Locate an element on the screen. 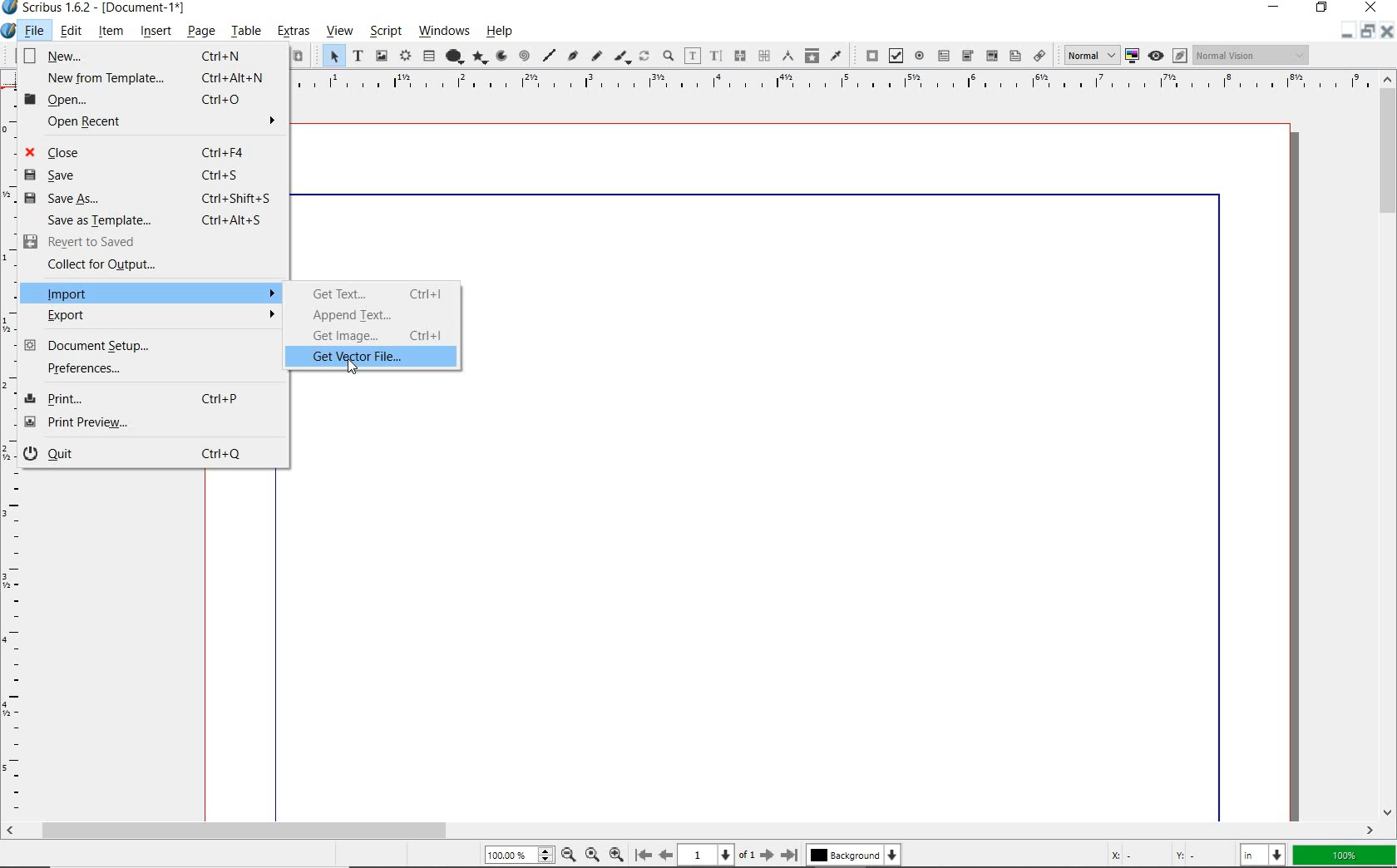 The height and width of the screenshot is (868, 1397). spiral is located at coordinates (526, 56).